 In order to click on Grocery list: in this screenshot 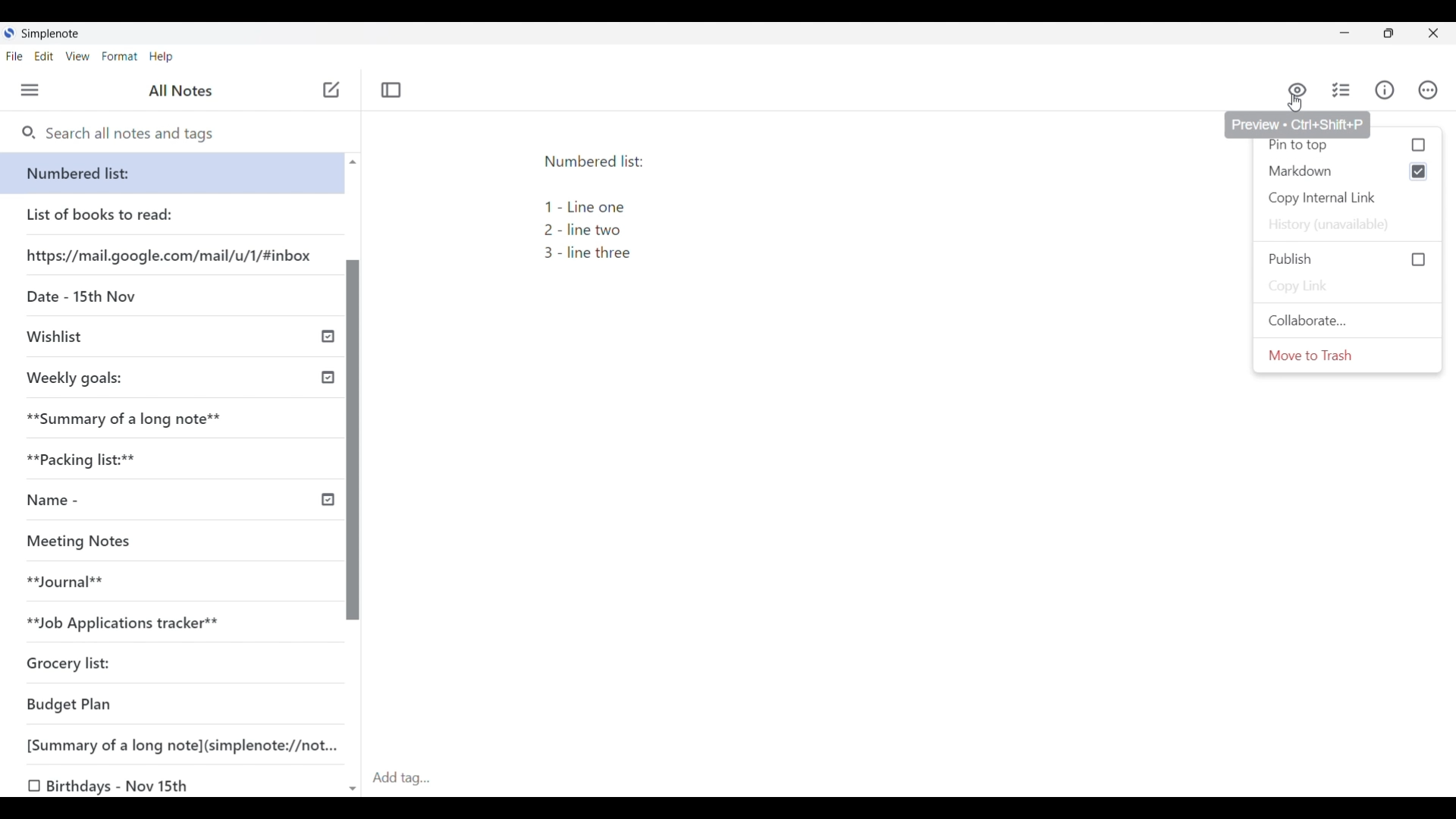, I will do `click(87, 667)`.